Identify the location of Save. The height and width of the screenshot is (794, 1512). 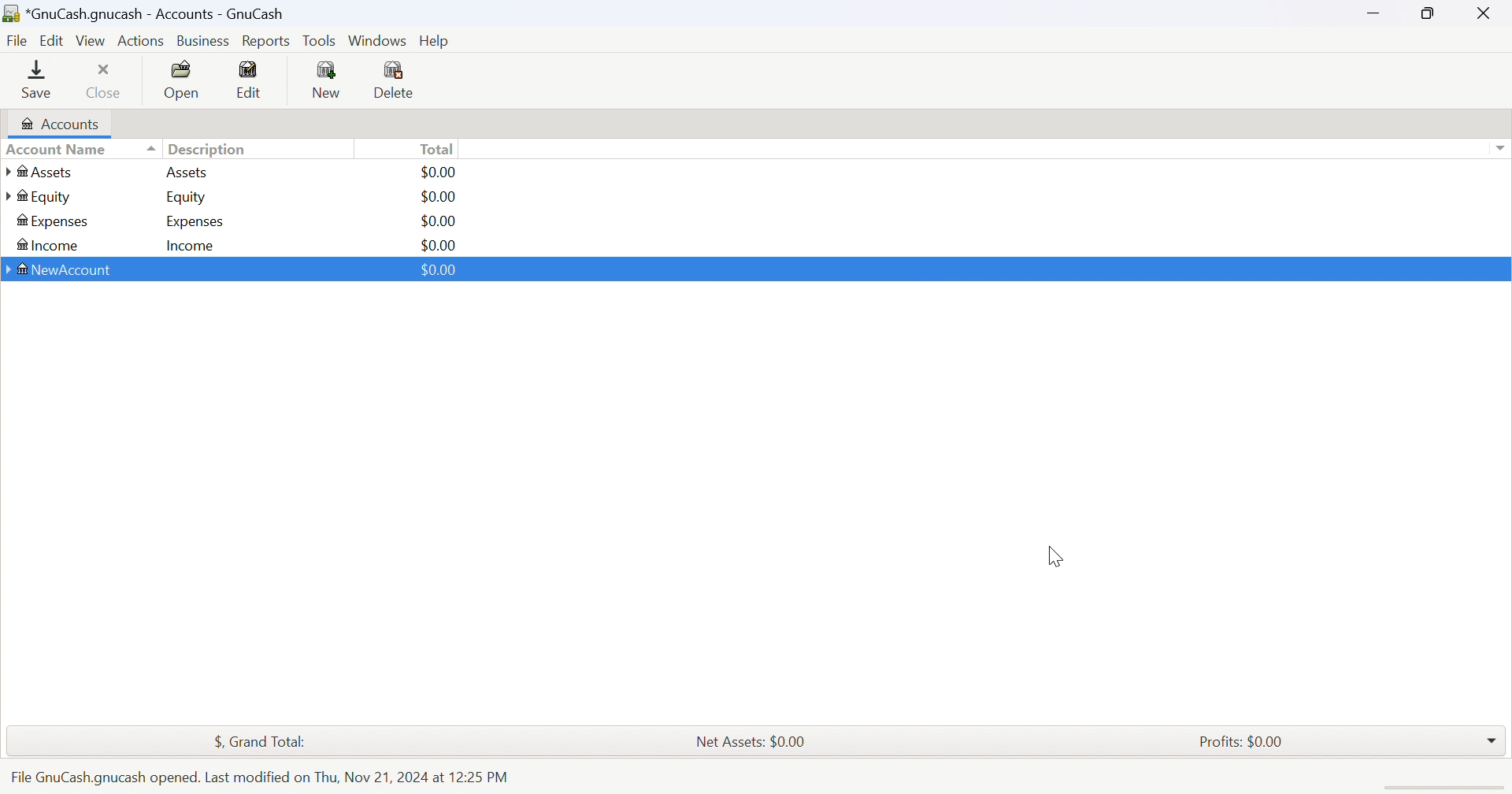
(36, 78).